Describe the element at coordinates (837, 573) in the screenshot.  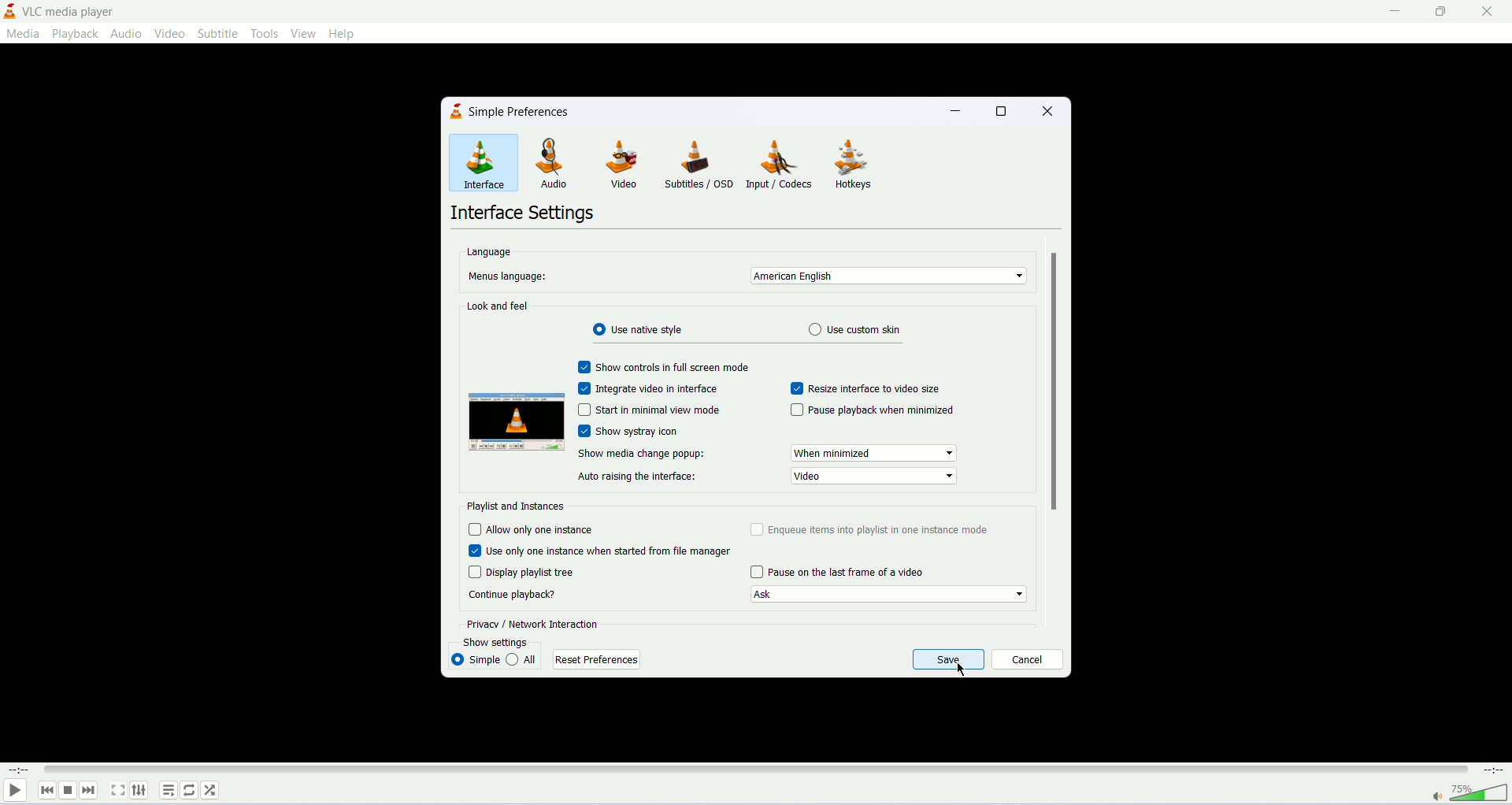
I see `pause on last frame of video` at that location.